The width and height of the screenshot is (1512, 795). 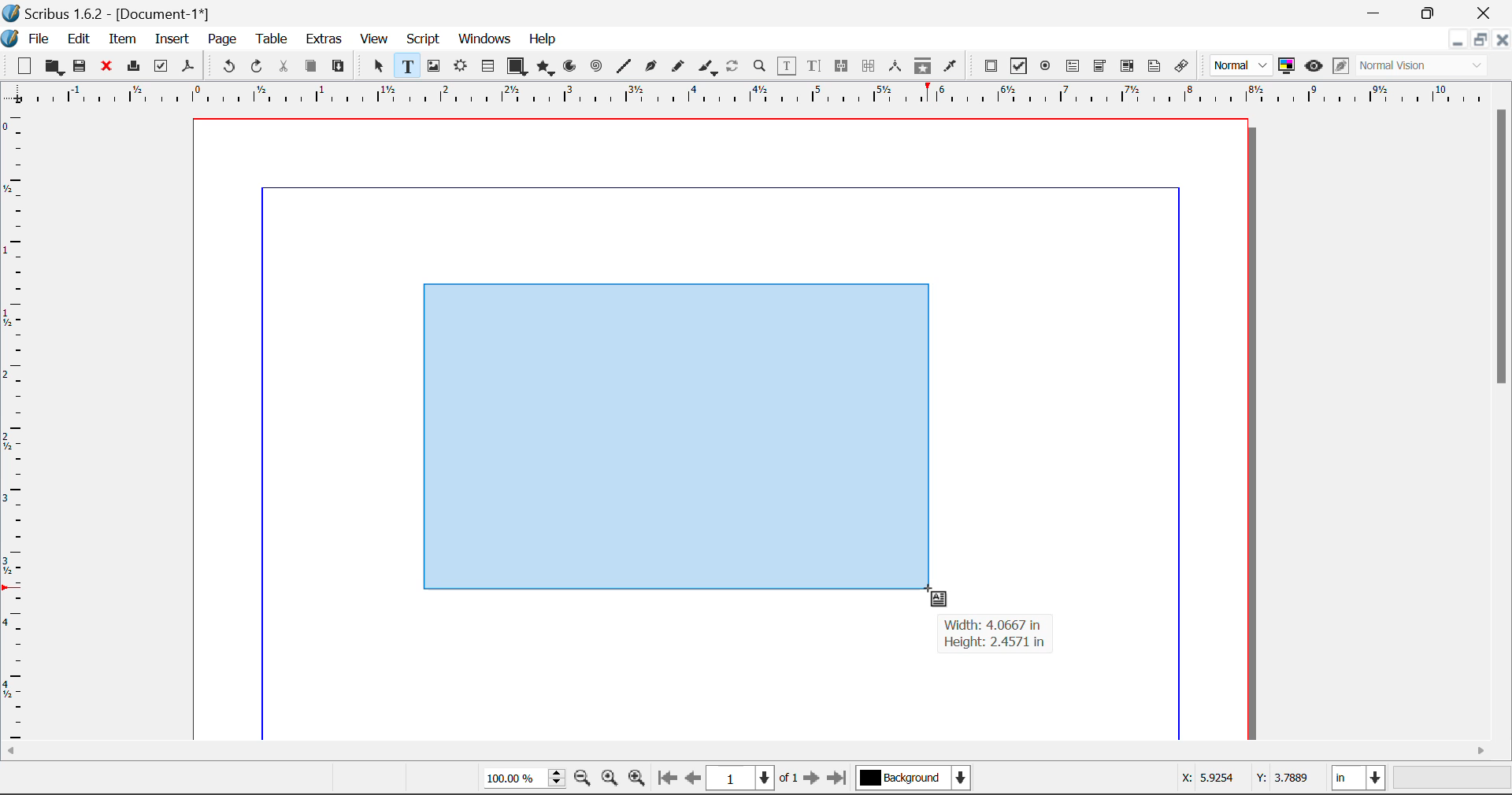 What do you see at coordinates (376, 65) in the screenshot?
I see `Select` at bounding box center [376, 65].